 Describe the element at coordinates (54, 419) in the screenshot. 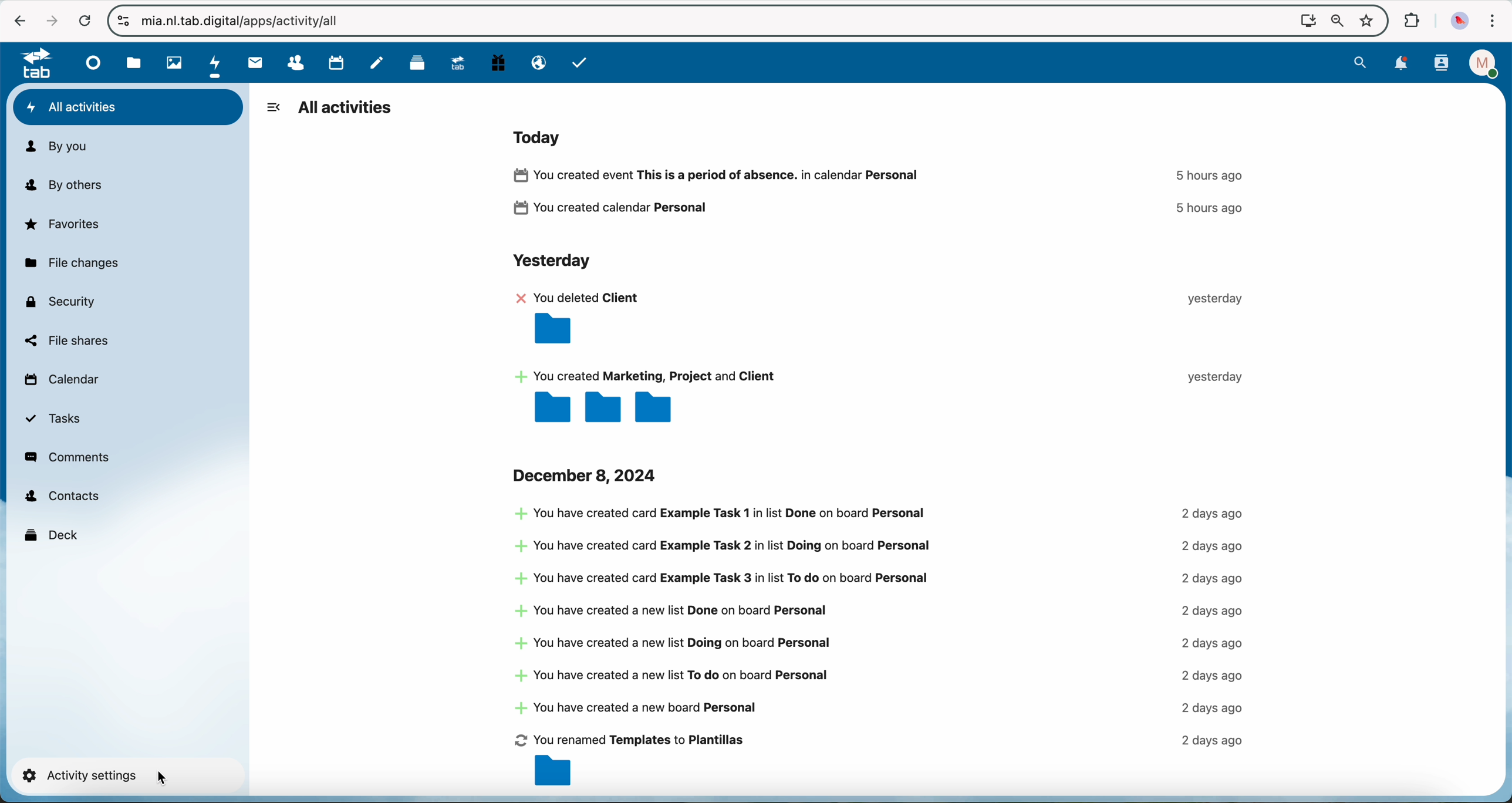

I see `tasks` at that location.